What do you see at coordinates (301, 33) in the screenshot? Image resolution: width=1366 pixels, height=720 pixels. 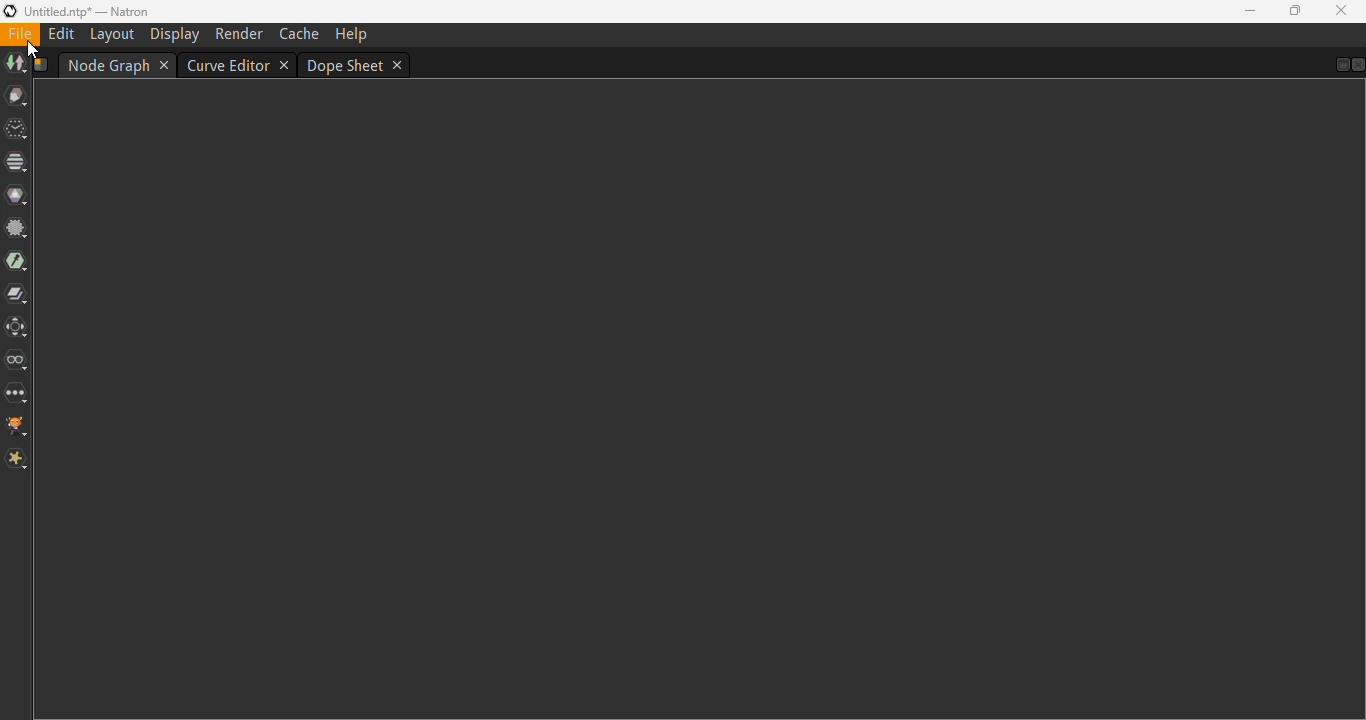 I see `cache` at bounding box center [301, 33].